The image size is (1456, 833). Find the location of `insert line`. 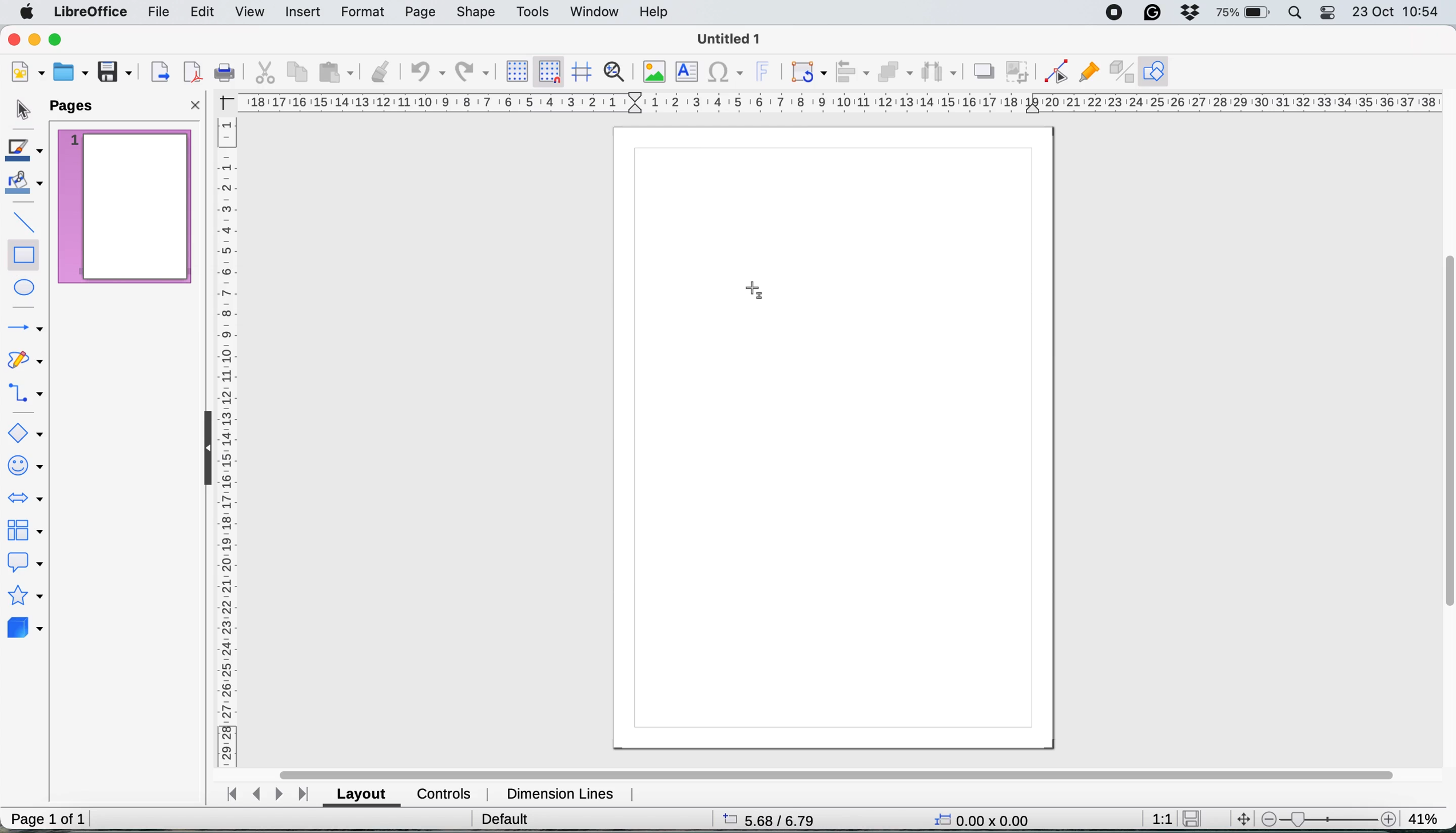

insert line is located at coordinates (21, 220).